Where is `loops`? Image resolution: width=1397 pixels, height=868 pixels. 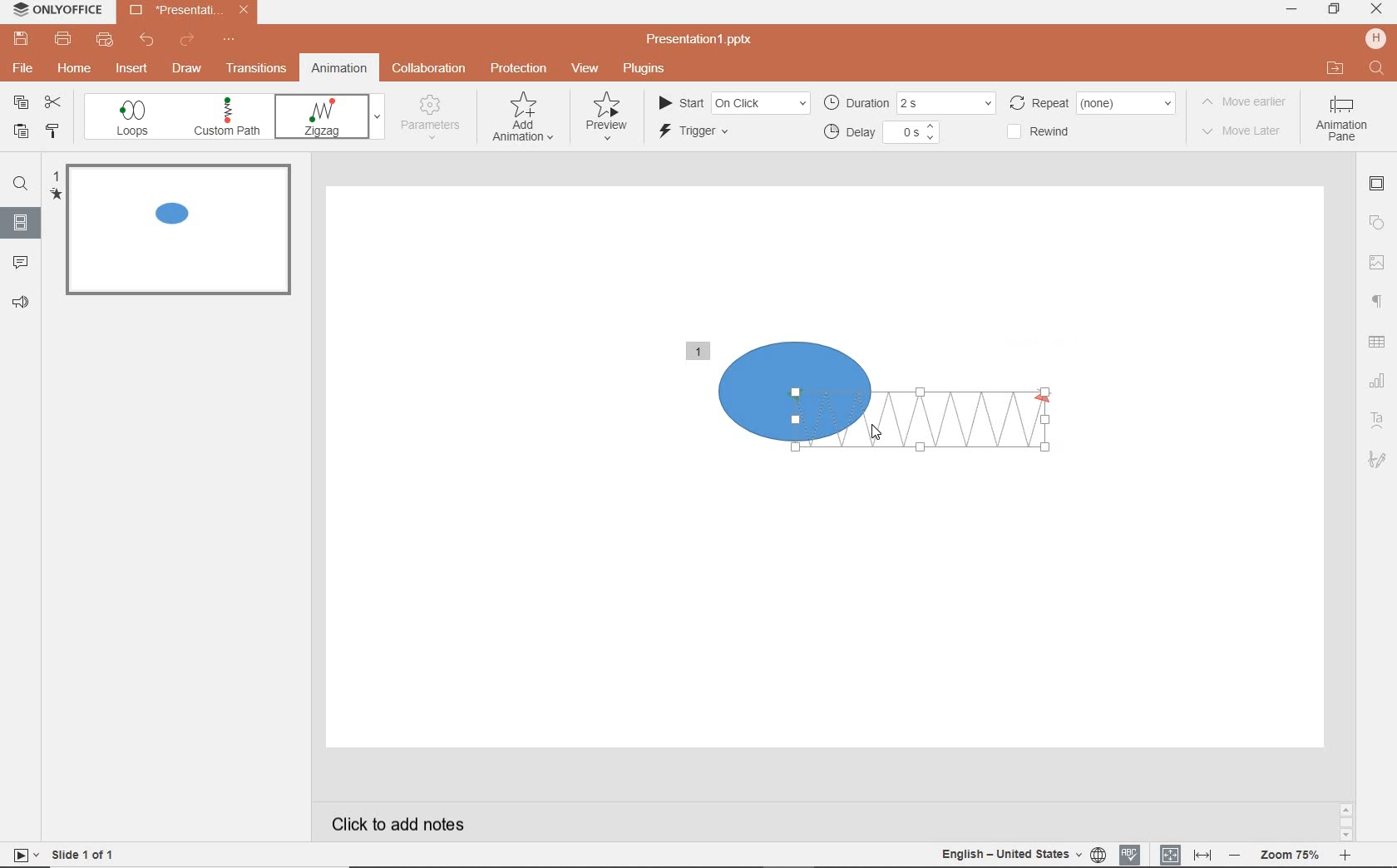
loops is located at coordinates (136, 120).